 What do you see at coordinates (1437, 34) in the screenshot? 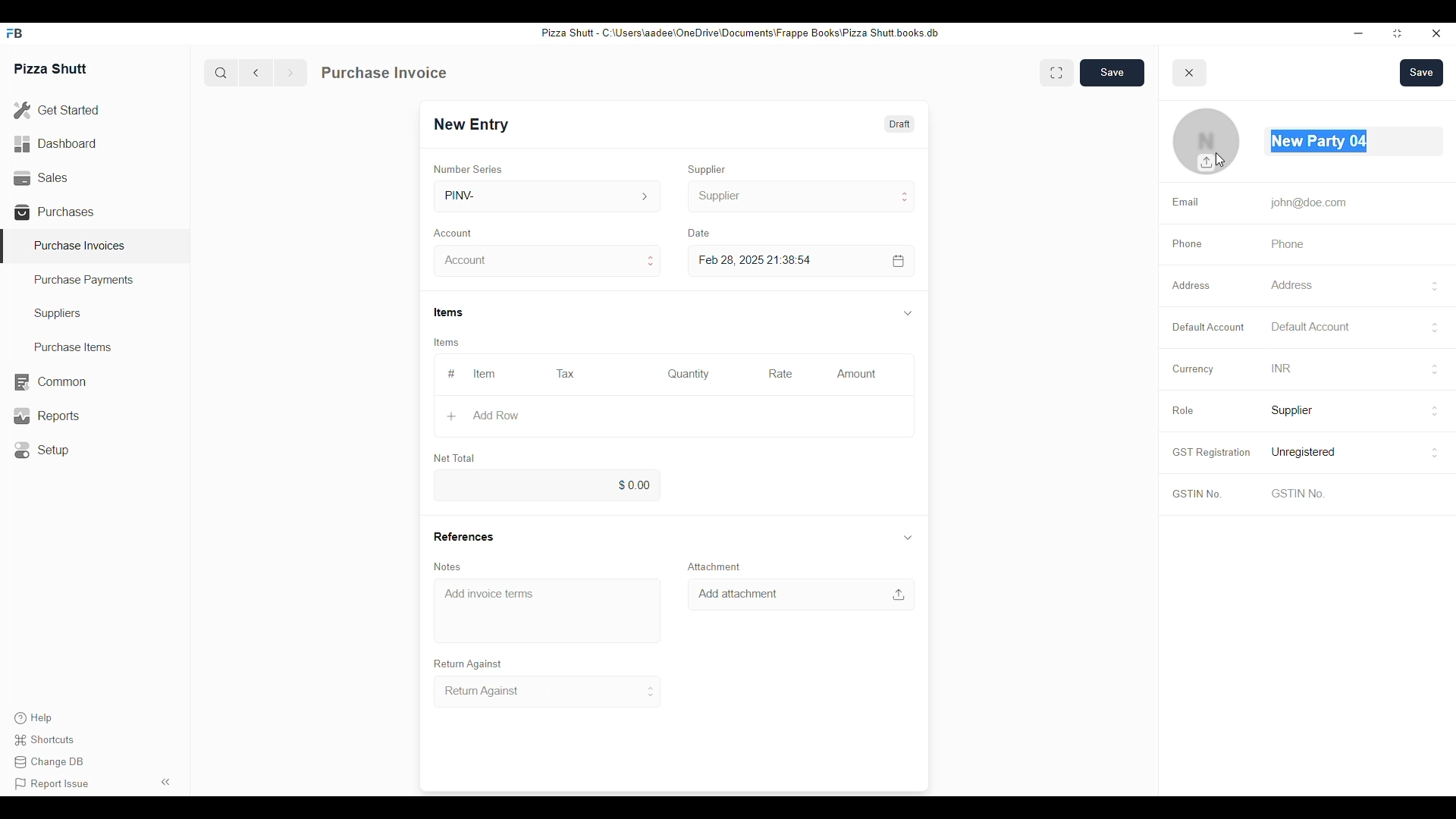
I see `close` at bounding box center [1437, 34].